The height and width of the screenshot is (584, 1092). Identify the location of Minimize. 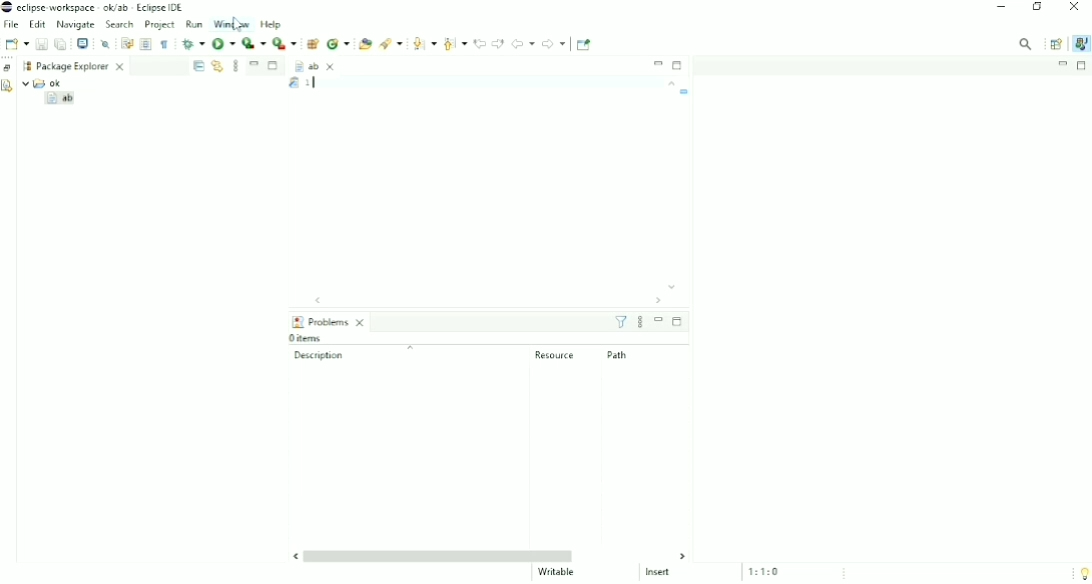
(659, 63).